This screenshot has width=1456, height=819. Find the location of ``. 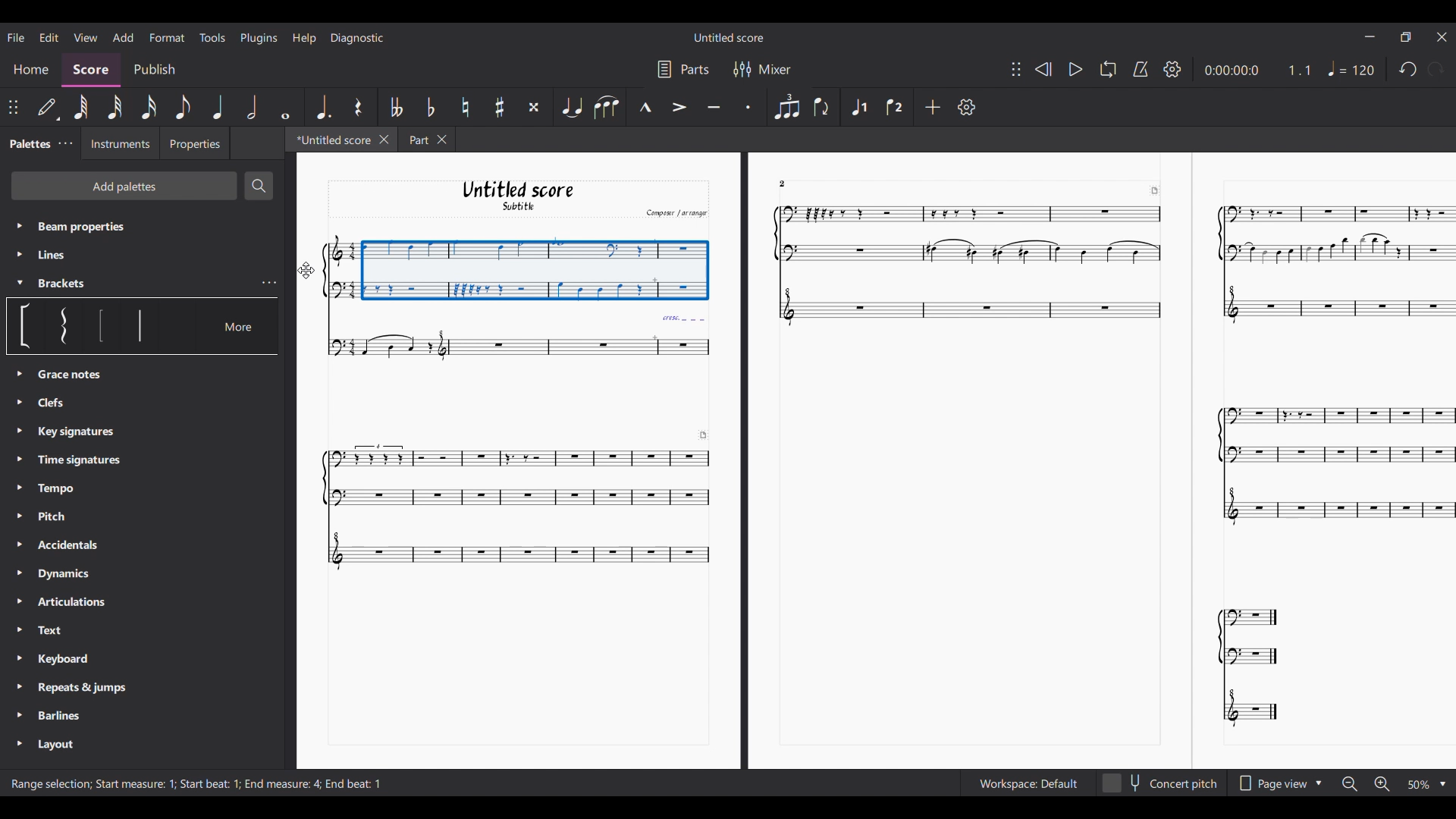

 is located at coordinates (1248, 707).